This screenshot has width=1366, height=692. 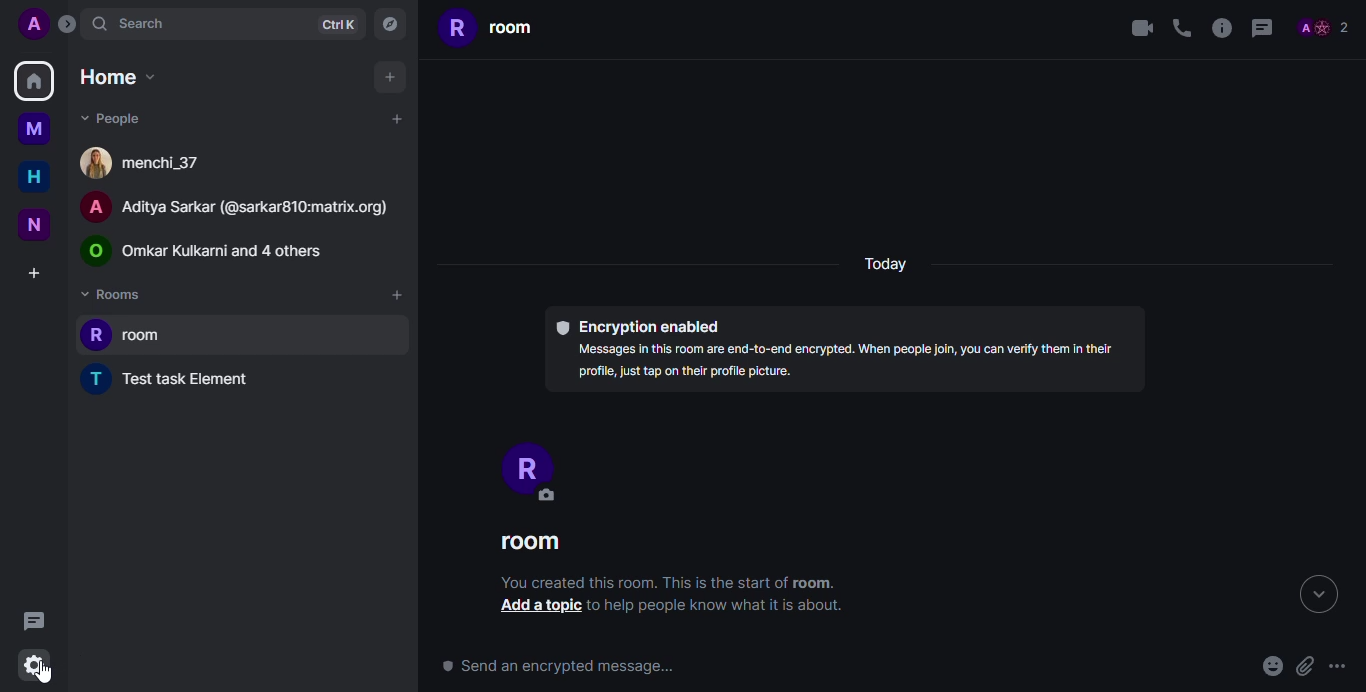 I want to click on emoji, so click(x=1271, y=666).